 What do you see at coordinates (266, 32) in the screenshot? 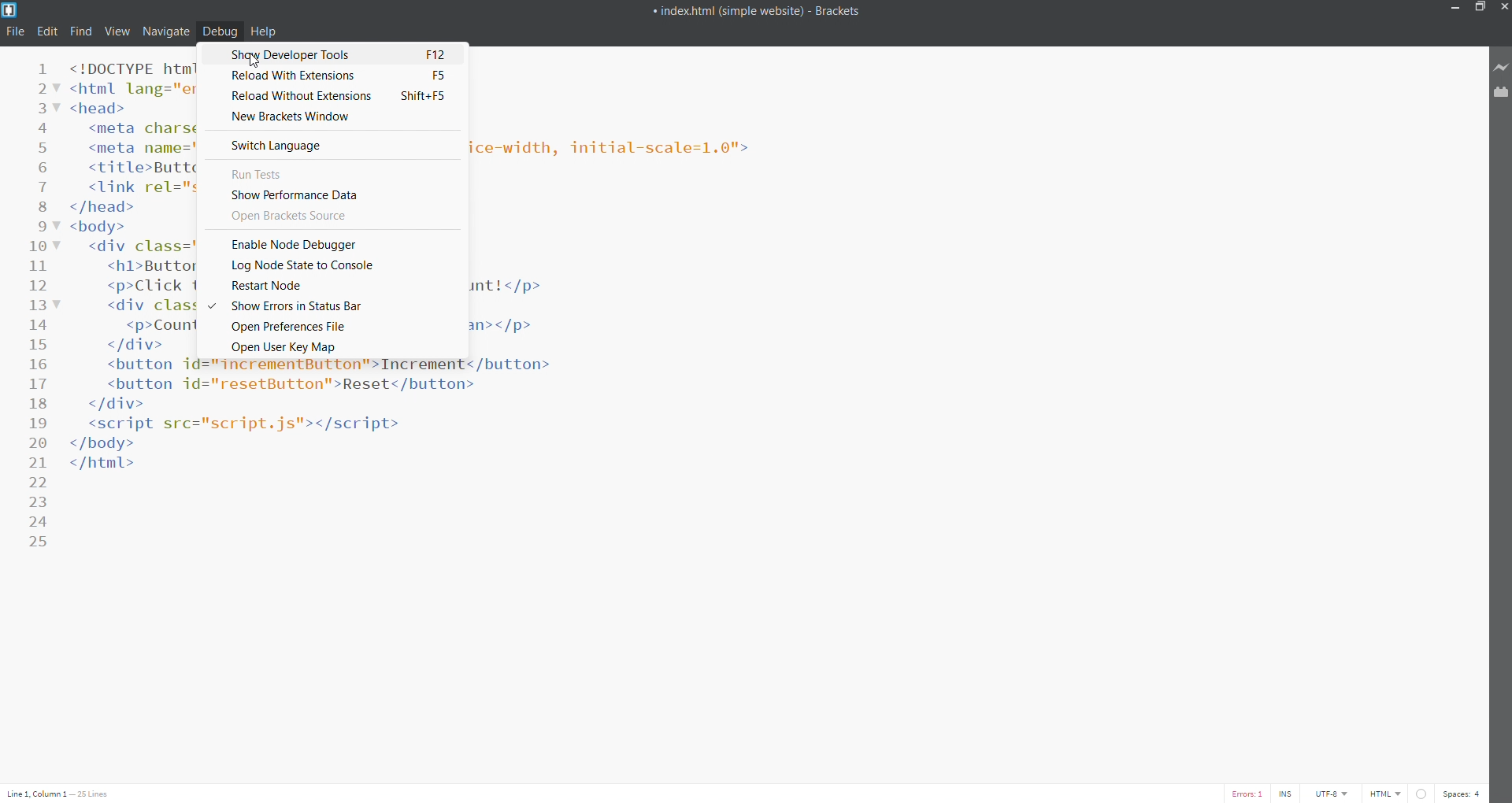
I see `help` at bounding box center [266, 32].